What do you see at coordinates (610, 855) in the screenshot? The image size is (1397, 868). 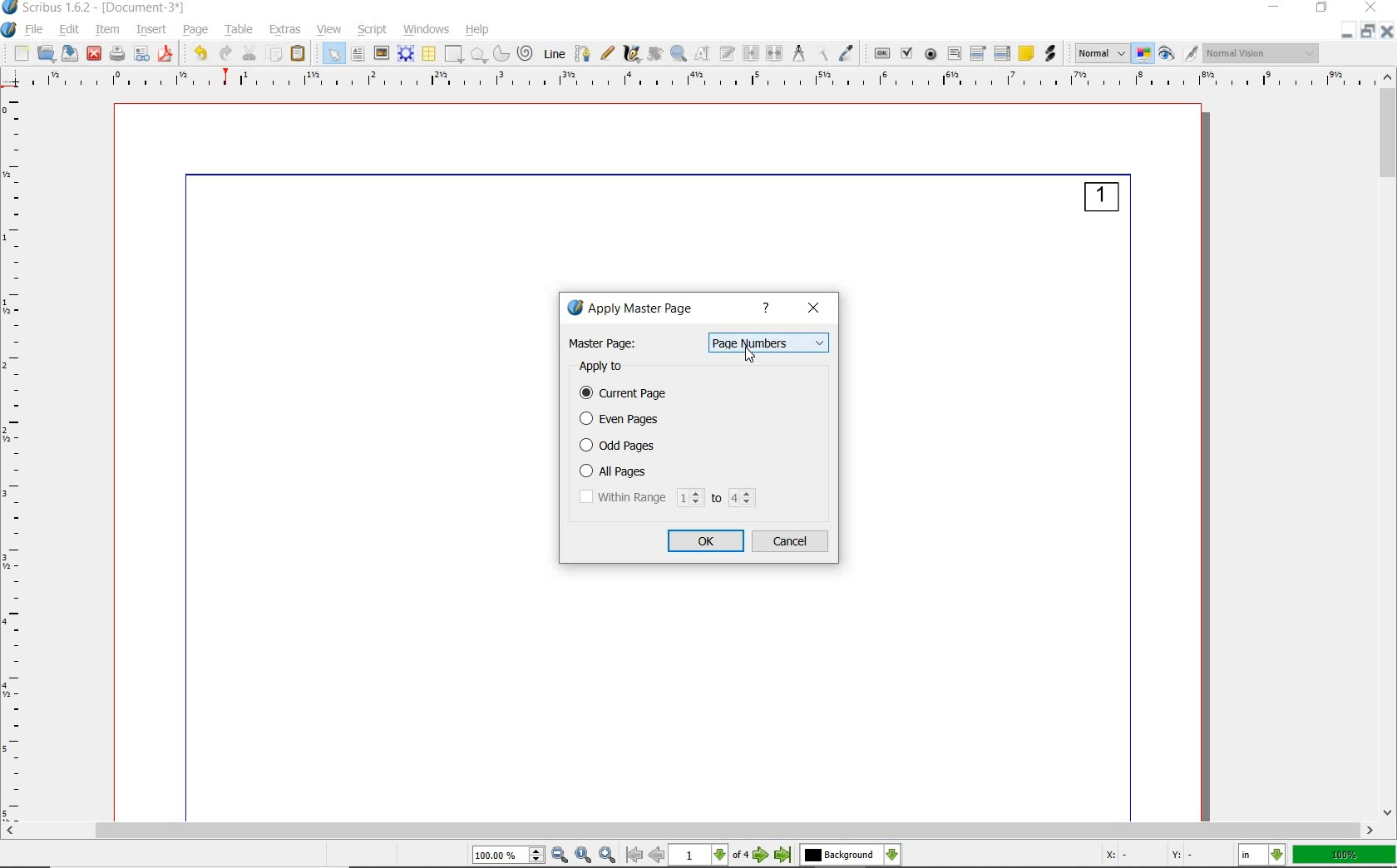 I see `zoom in` at bounding box center [610, 855].